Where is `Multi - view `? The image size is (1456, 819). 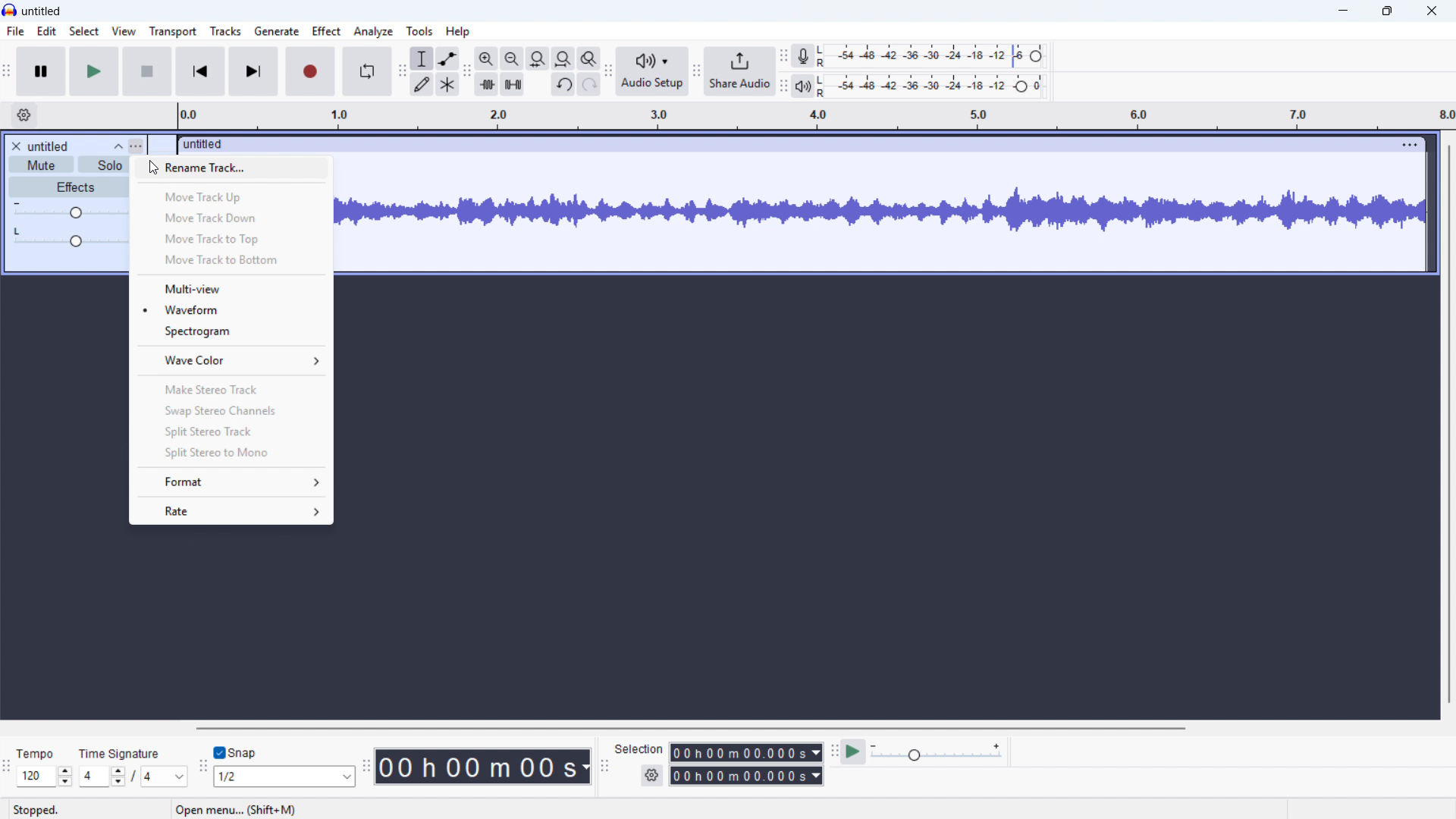
Multi - view  is located at coordinates (230, 287).